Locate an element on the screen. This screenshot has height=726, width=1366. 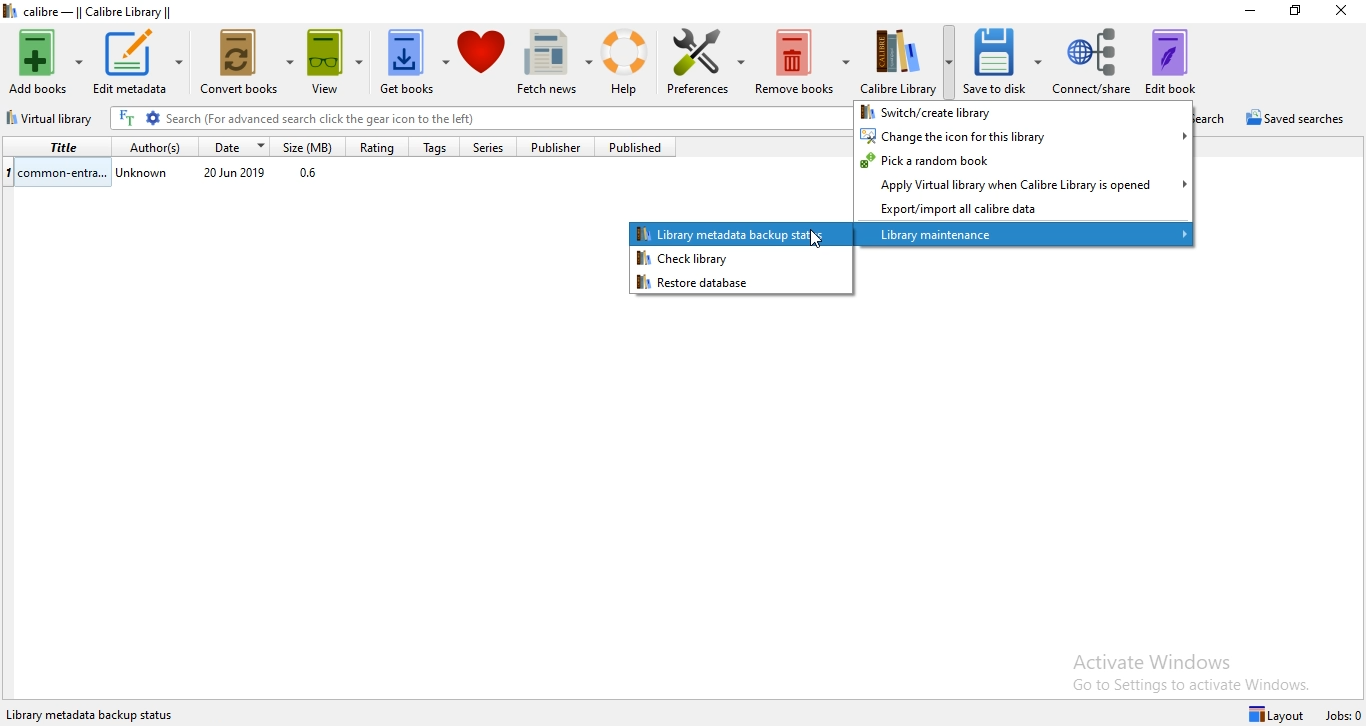
export/import all calibre data is located at coordinates (1022, 210).